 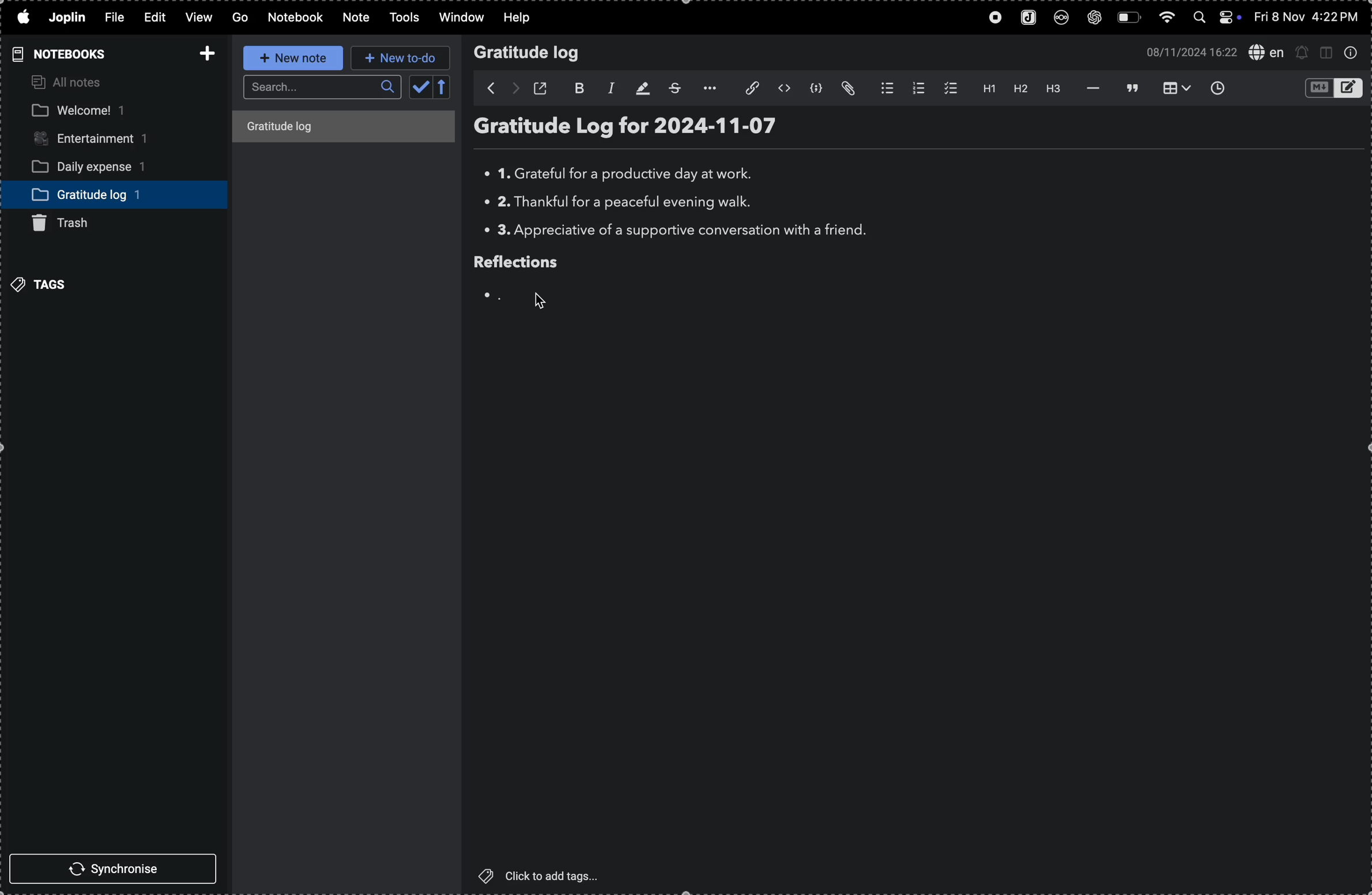 I want to click on greatful for work, so click(x=627, y=175).